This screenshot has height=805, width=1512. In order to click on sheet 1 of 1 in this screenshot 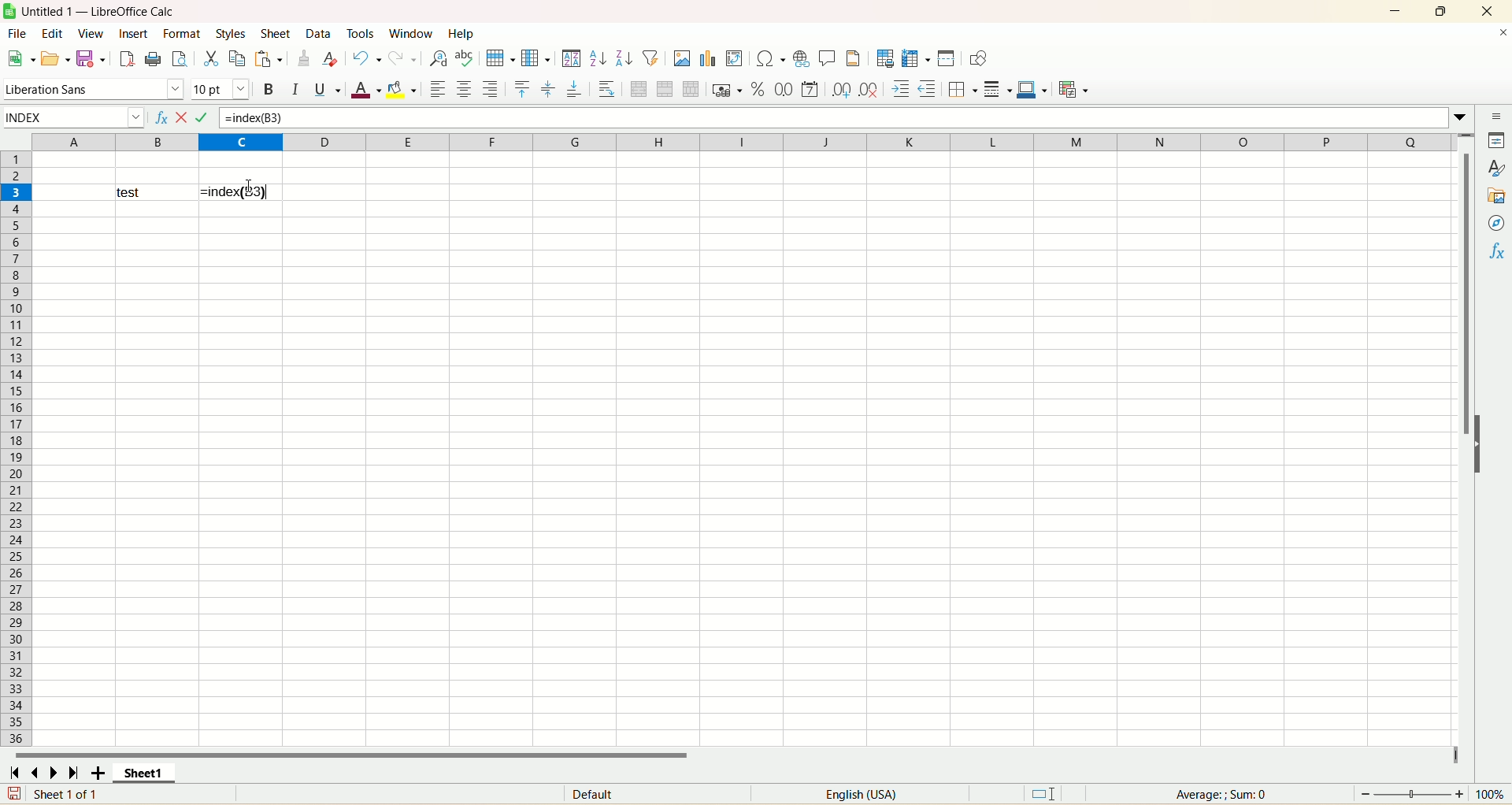, I will do `click(68, 793)`.